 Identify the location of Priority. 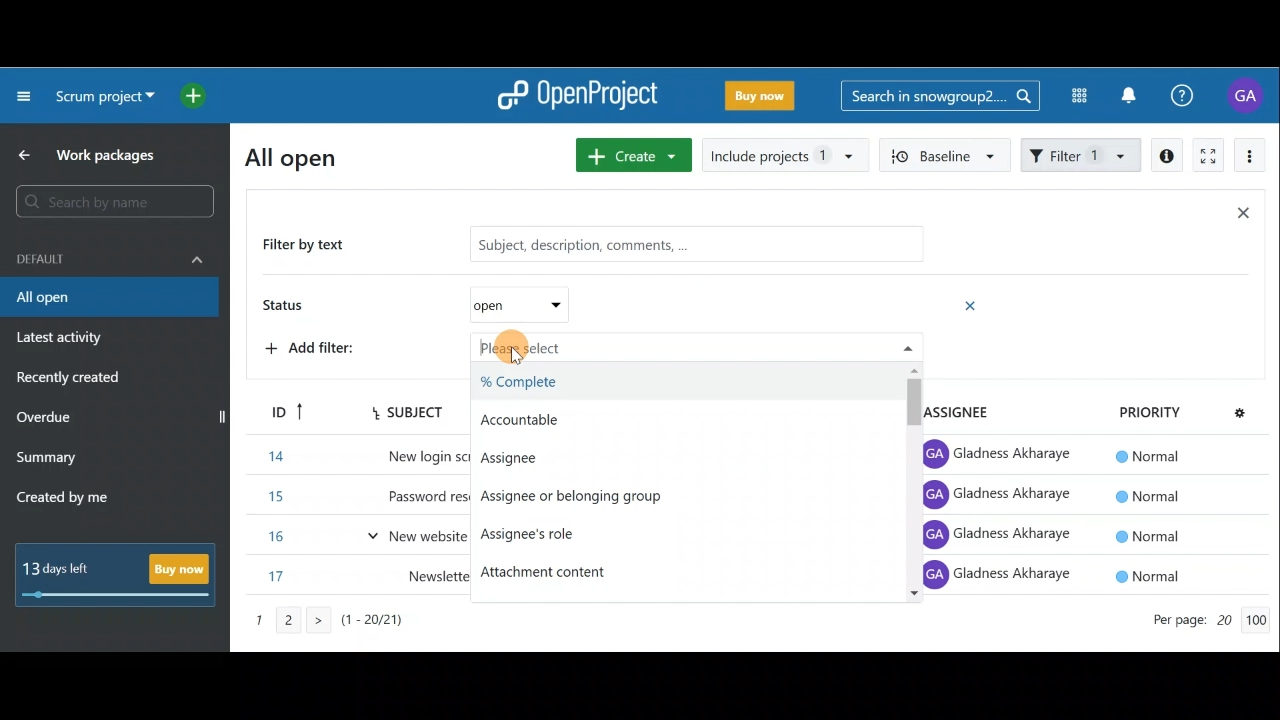
(1177, 411).